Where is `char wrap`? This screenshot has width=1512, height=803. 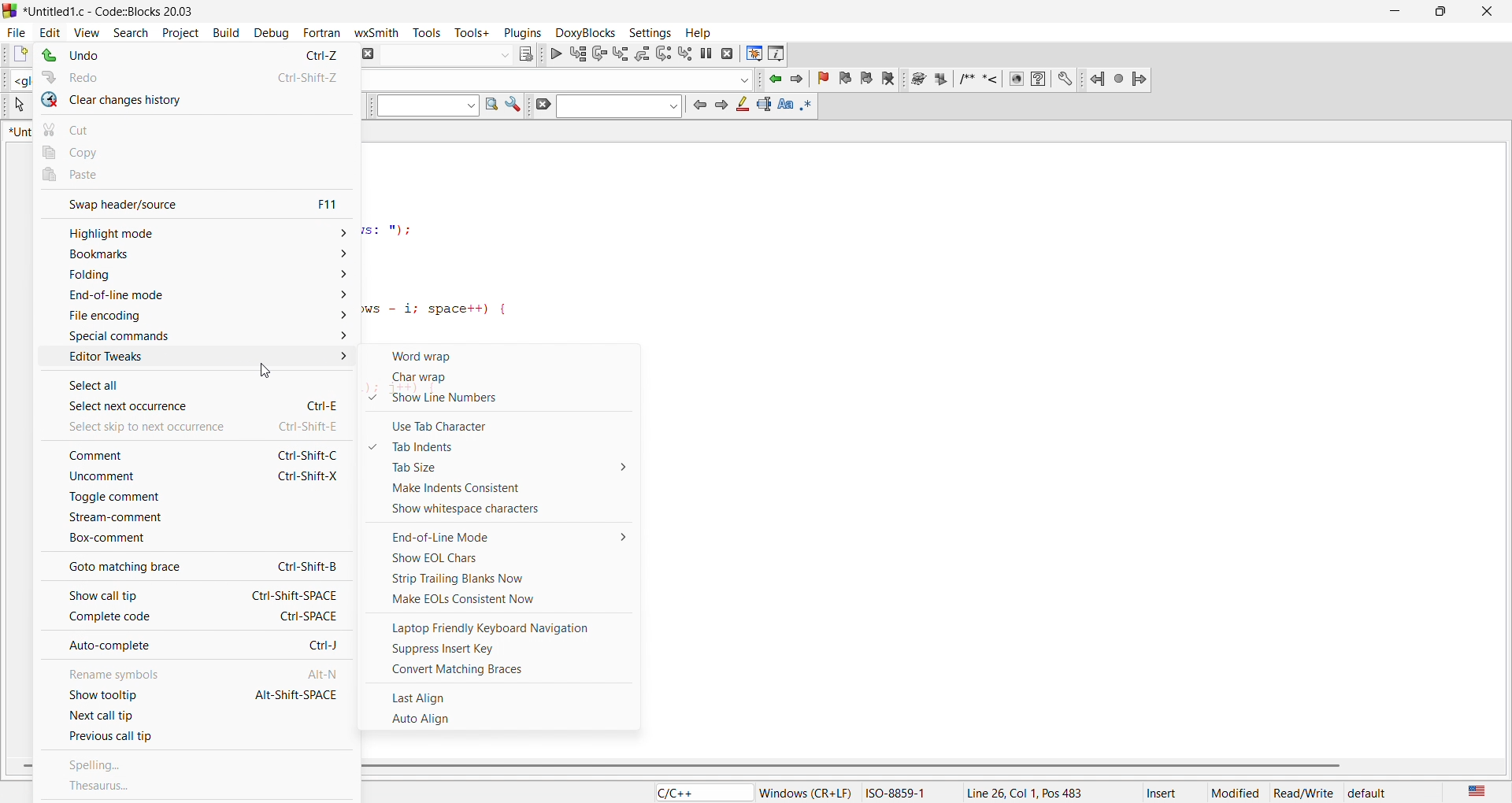 char wrap is located at coordinates (508, 380).